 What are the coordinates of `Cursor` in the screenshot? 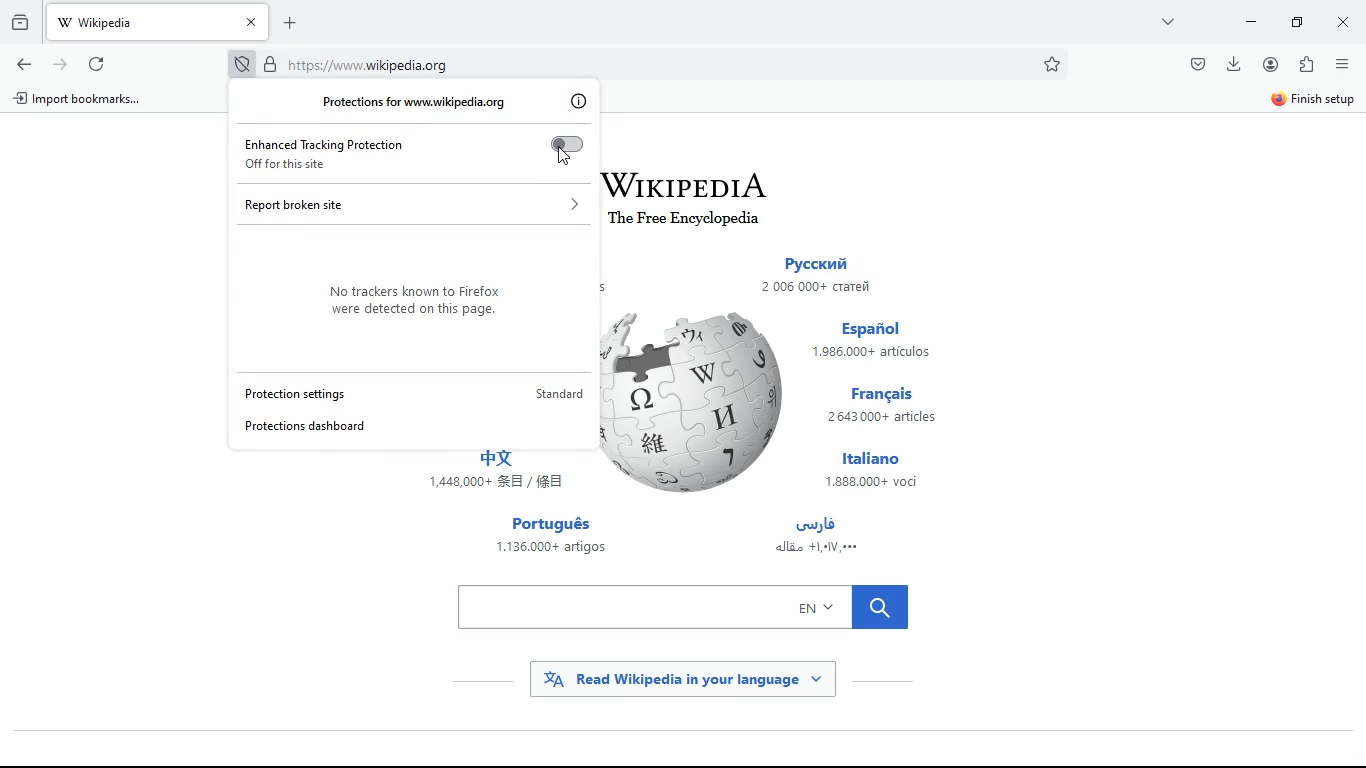 It's located at (566, 156).